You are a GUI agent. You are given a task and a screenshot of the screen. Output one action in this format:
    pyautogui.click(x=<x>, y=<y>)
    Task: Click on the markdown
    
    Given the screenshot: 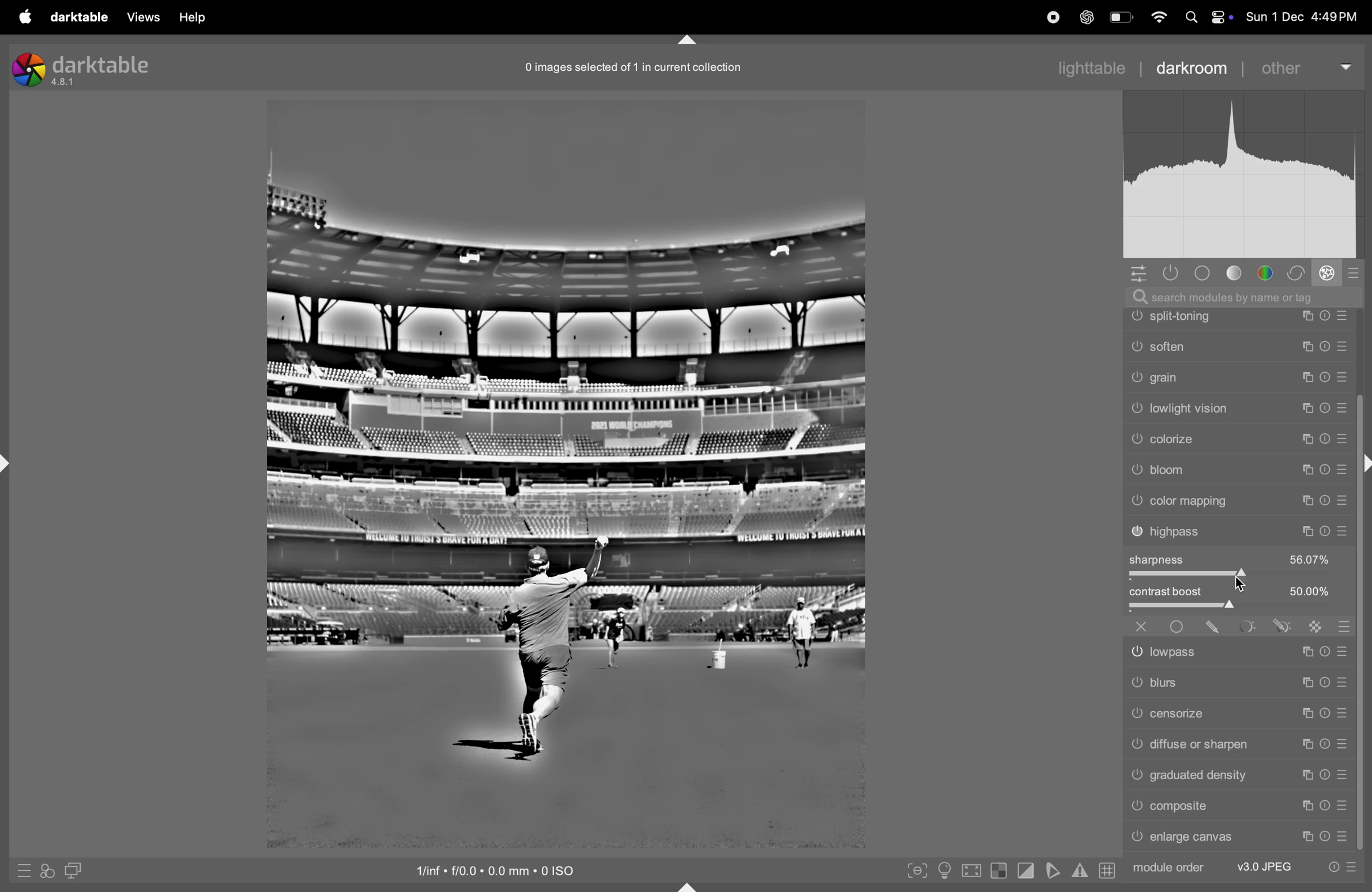 What is the action you would take?
    pyautogui.click(x=694, y=40)
    